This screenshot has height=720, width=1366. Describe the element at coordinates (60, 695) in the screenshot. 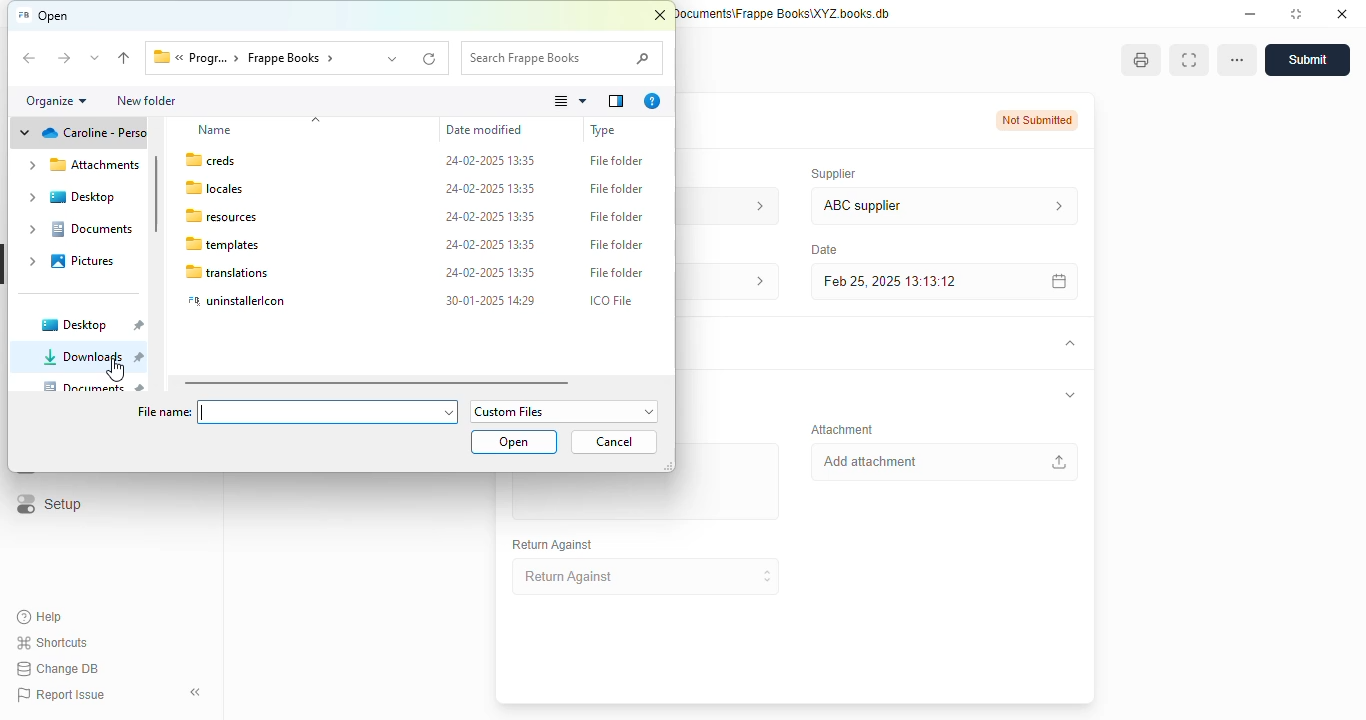

I see `report issue` at that location.